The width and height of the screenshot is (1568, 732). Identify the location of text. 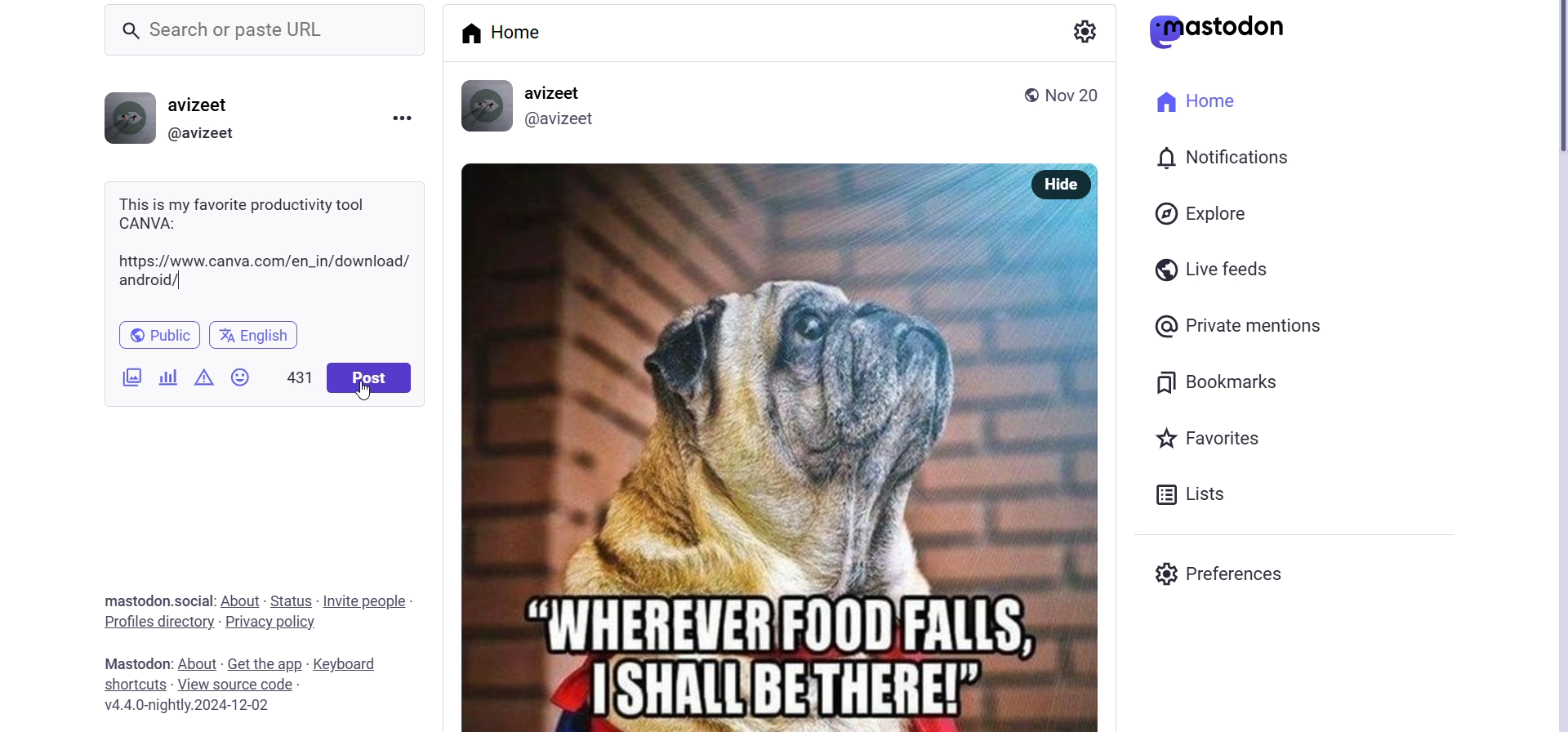
(126, 663).